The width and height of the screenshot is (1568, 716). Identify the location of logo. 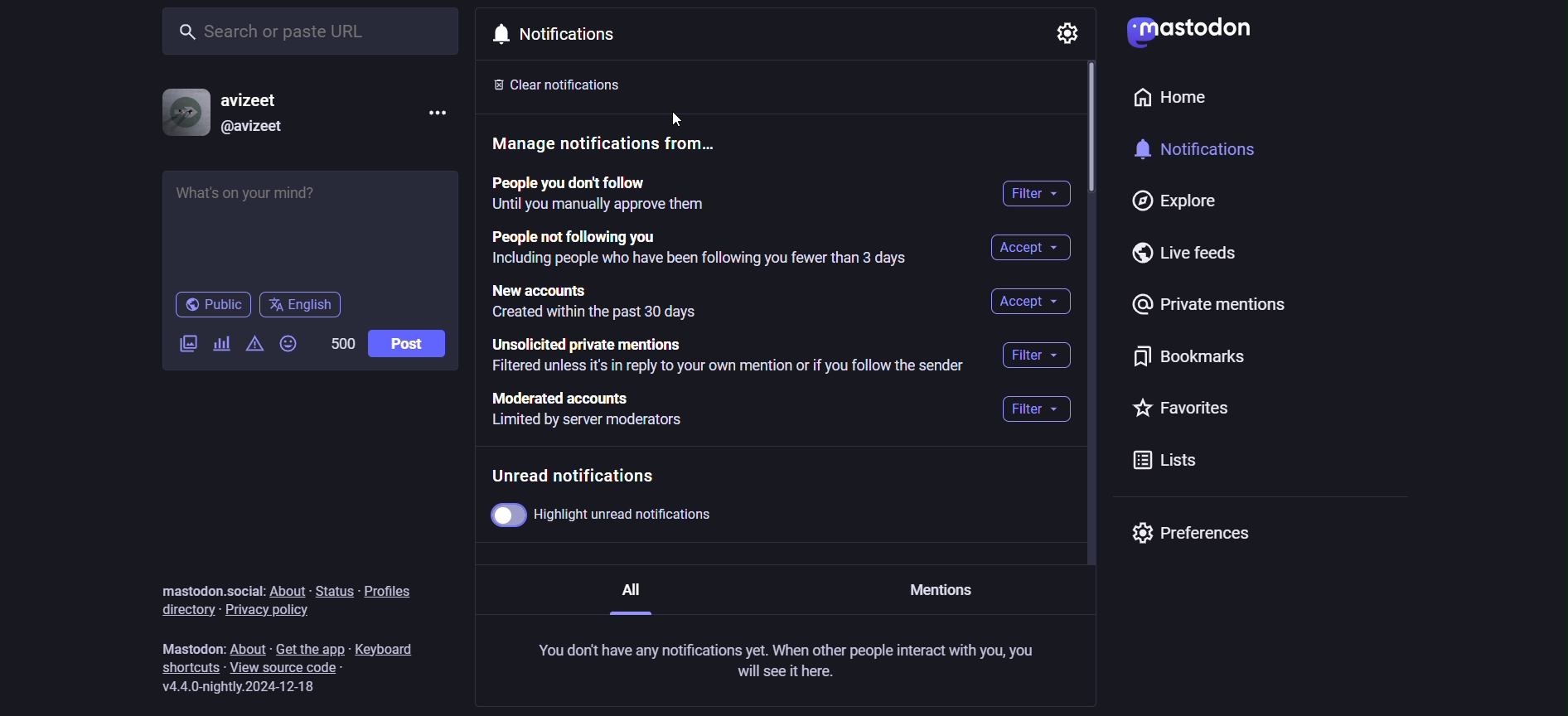
(1187, 31).